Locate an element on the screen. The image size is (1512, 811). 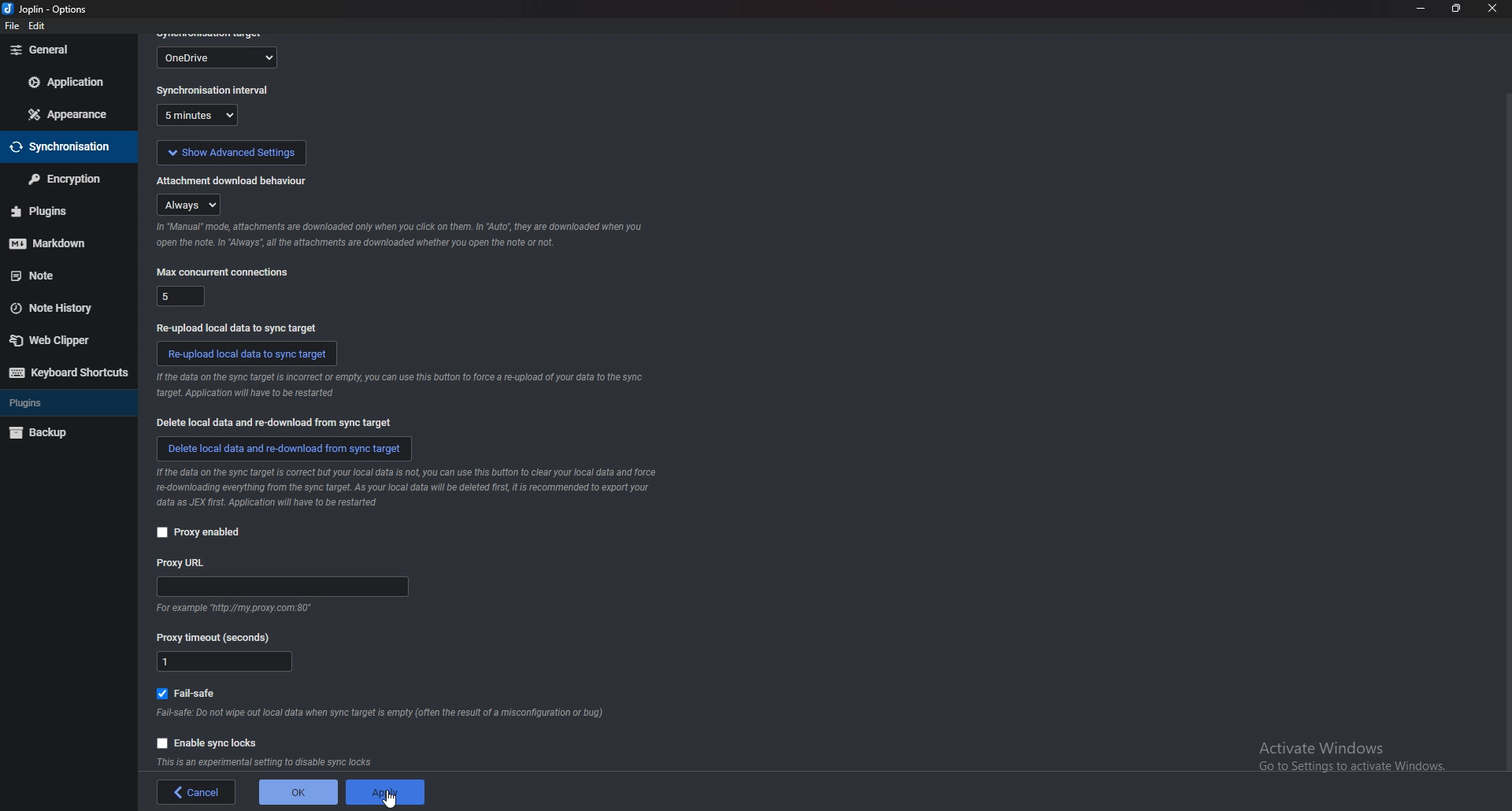
fail safe is located at coordinates (193, 691).